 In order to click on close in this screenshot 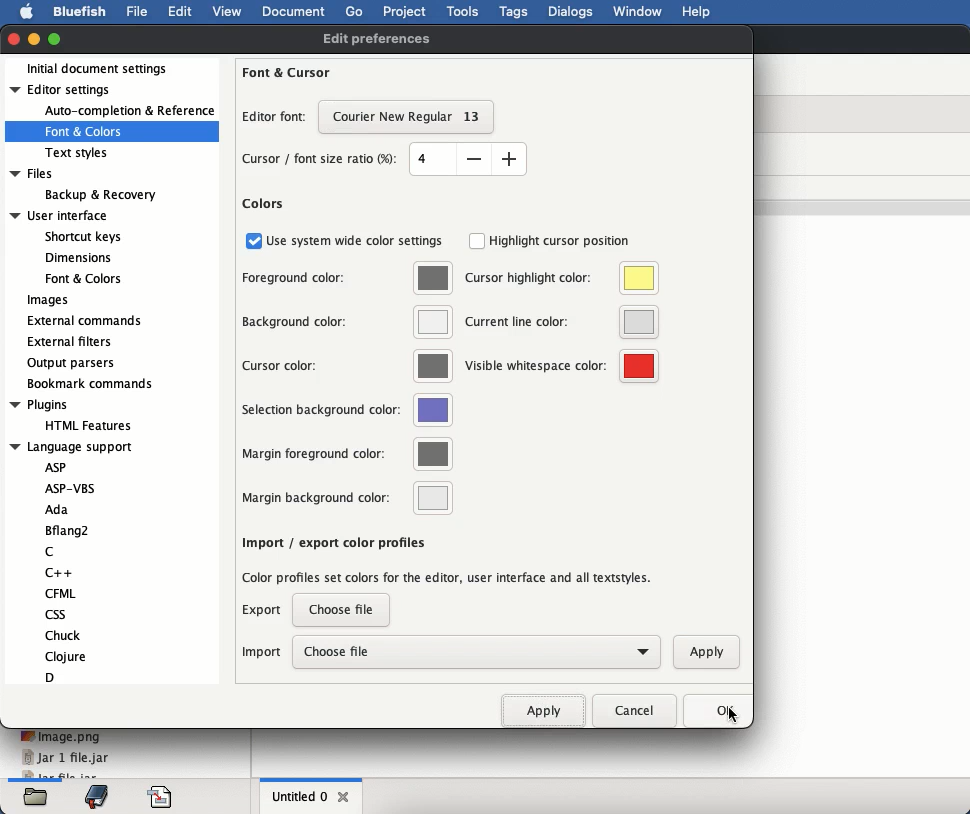, I will do `click(345, 797)`.